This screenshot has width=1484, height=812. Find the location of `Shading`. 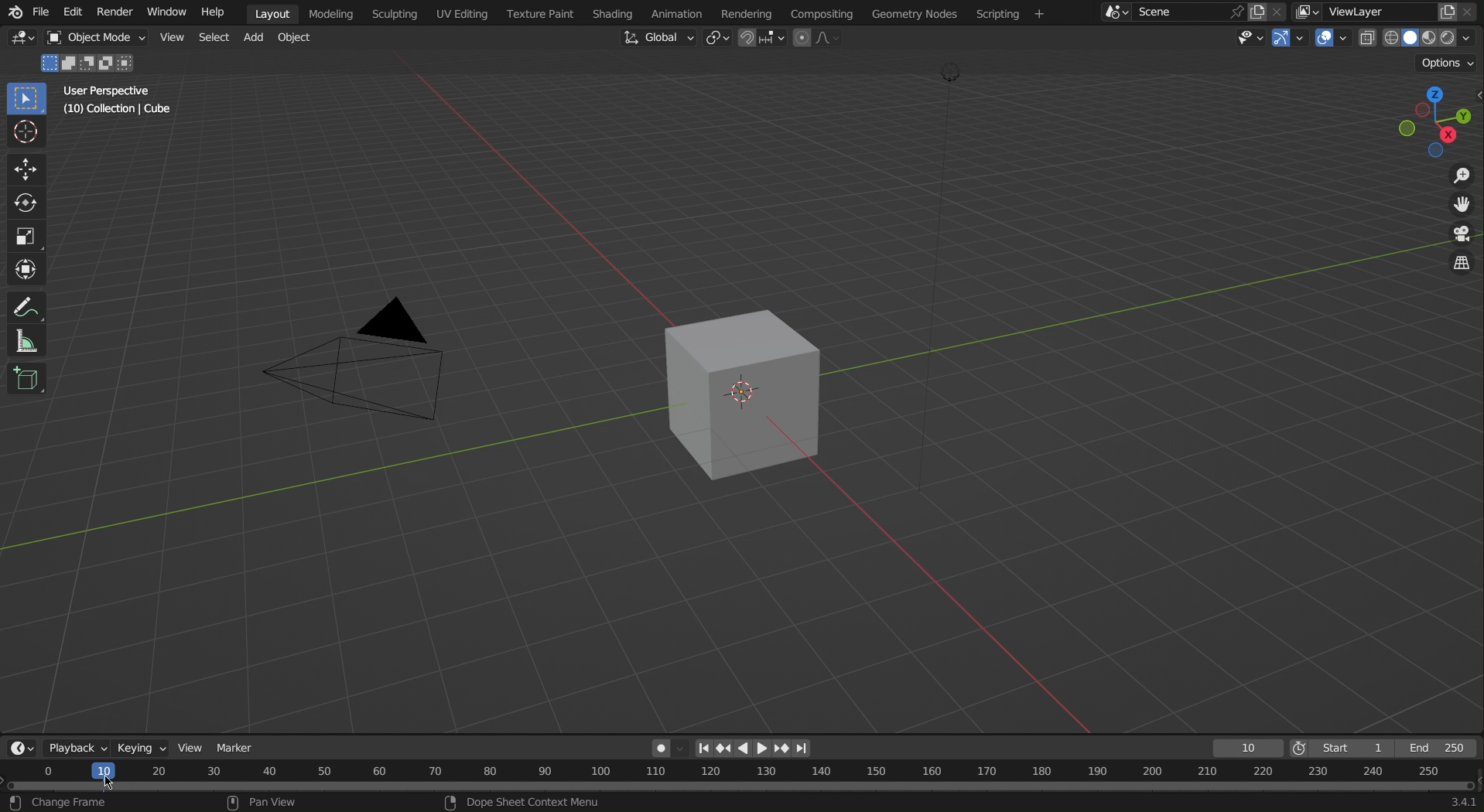

Shading is located at coordinates (610, 12).